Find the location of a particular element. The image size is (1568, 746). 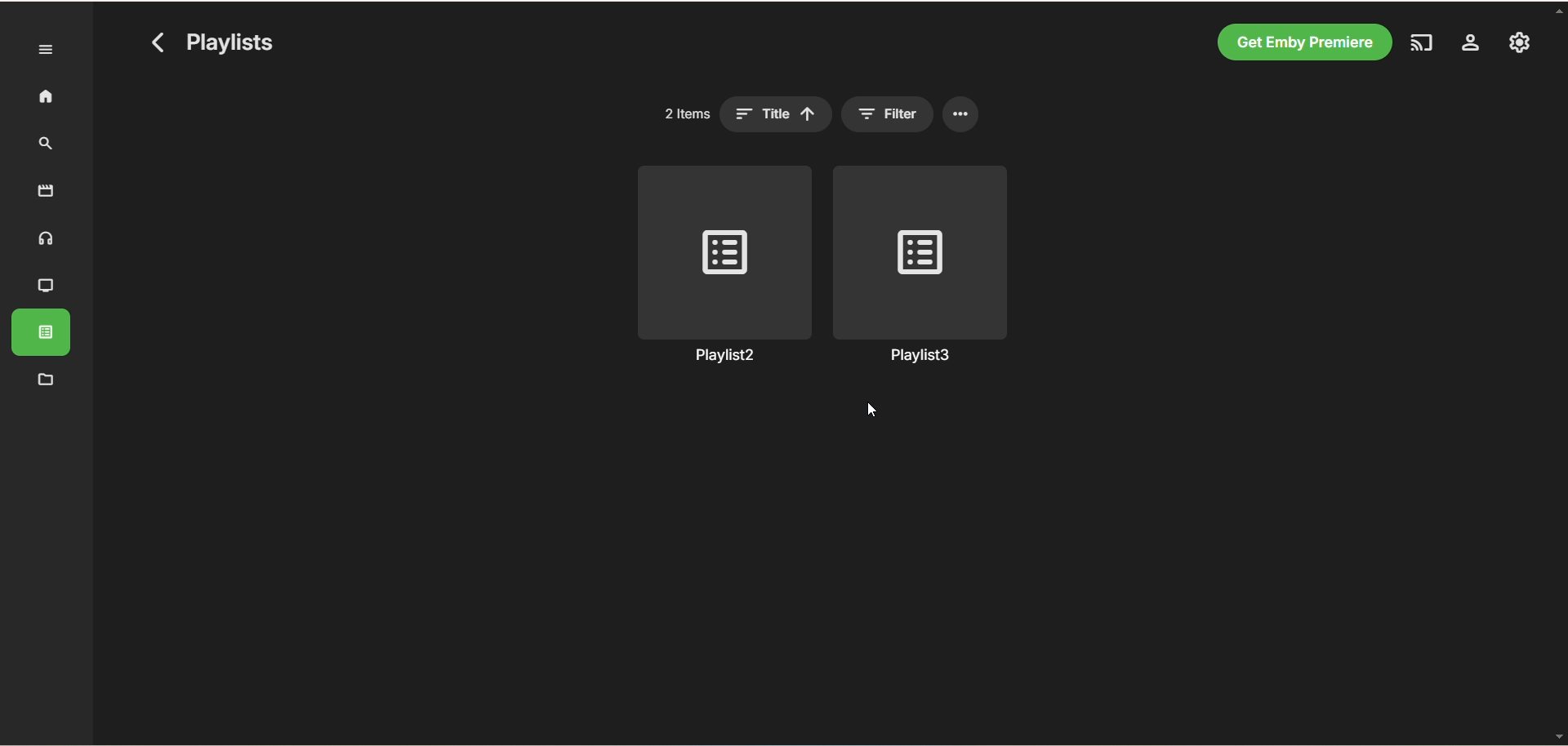

movies is located at coordinates (46, 191).